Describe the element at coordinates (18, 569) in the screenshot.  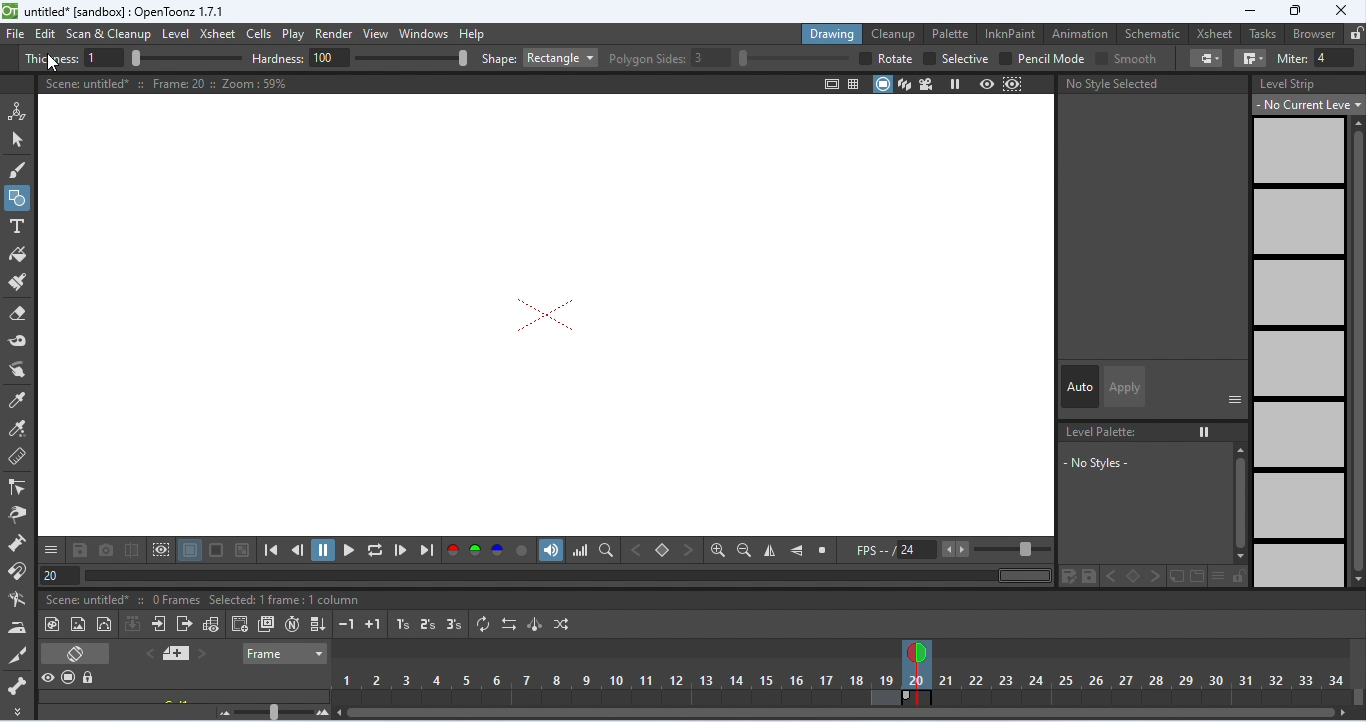
I see `magnet` at that location.